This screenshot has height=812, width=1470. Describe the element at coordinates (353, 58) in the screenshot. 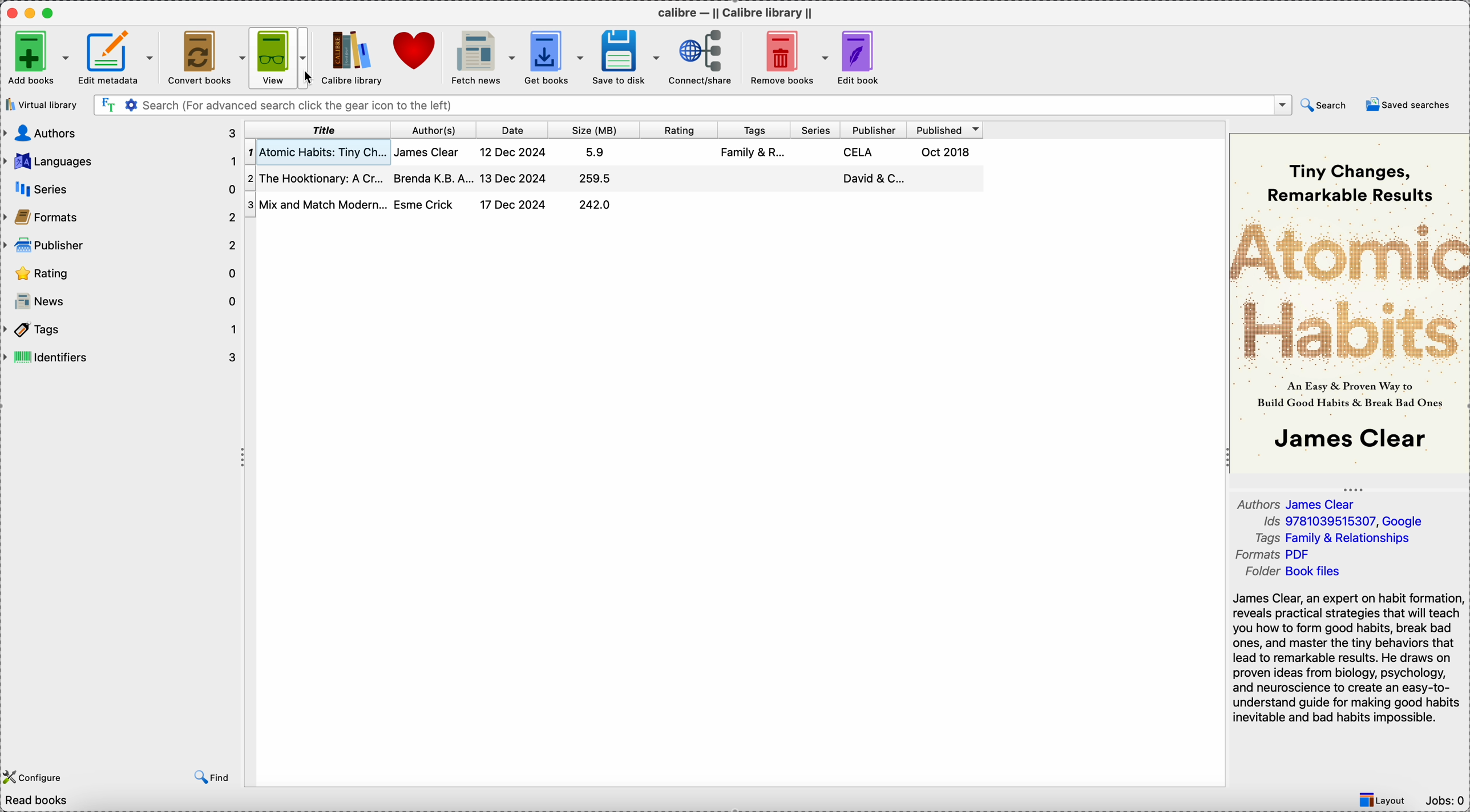

I see `Calibre` at that location.